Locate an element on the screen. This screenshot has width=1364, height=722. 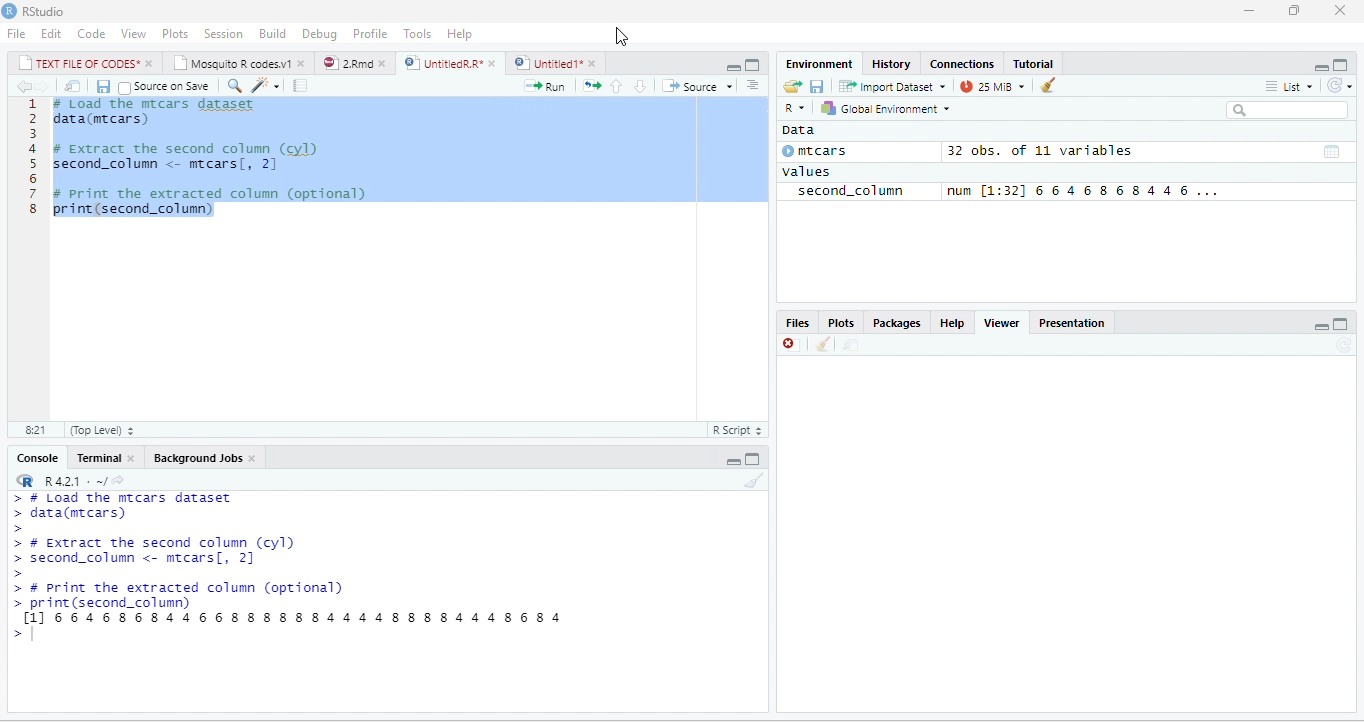
‘Connections is located at coordinates (961, 64).